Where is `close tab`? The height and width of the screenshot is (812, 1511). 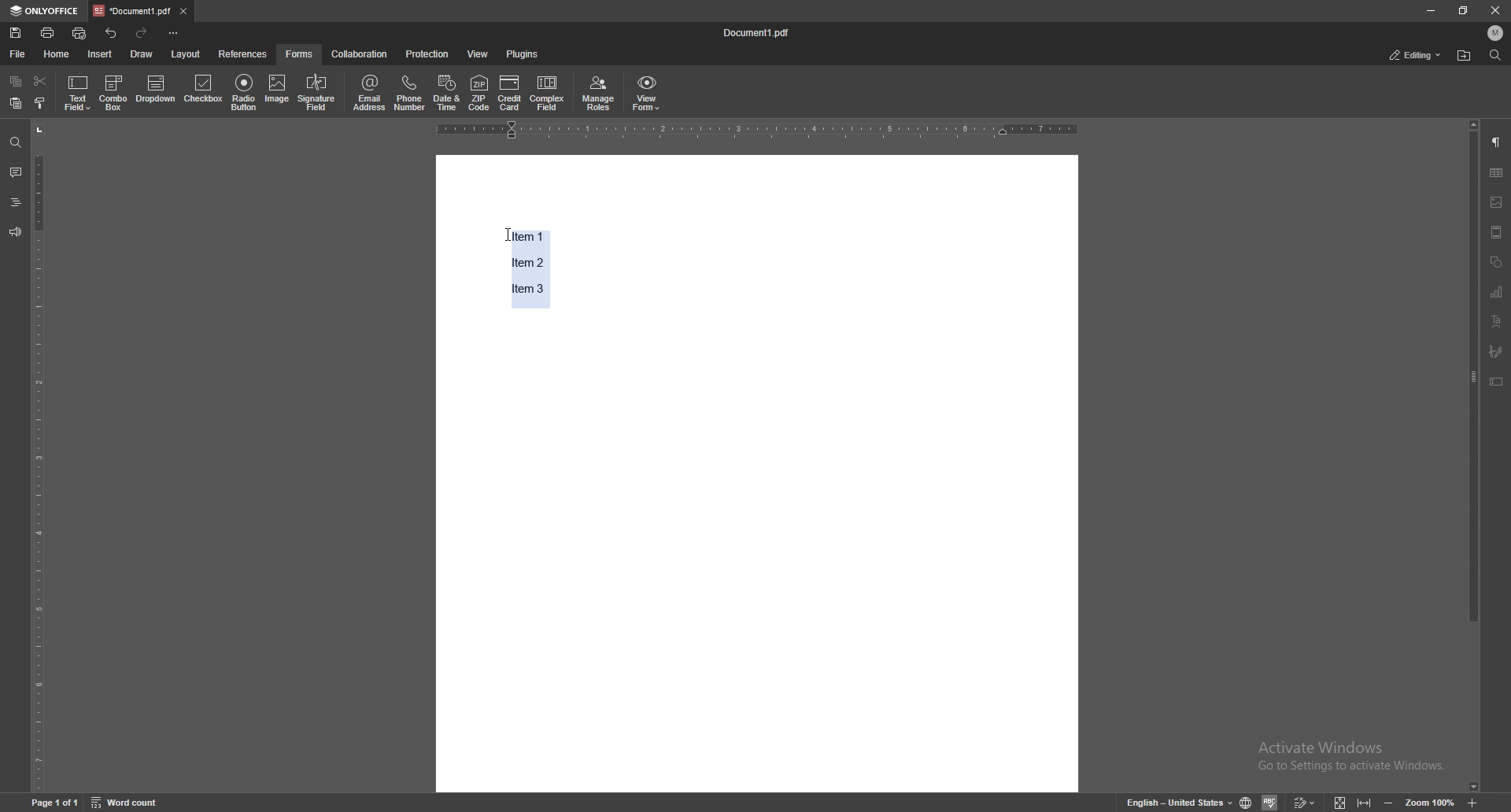
close tab is located at coordinates (183, 12).